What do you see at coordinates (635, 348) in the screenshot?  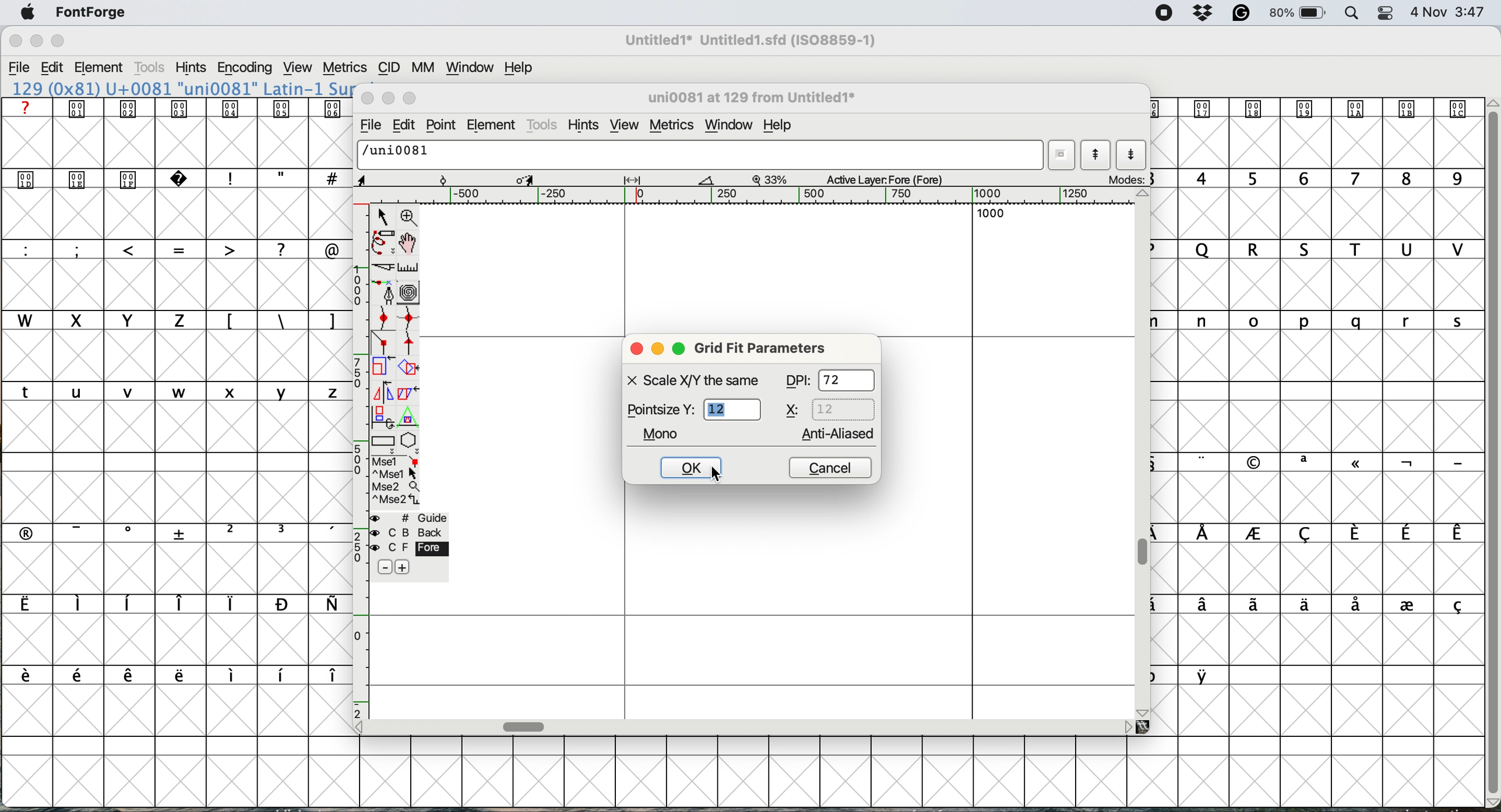 I see `close` at bounding box center [635, 348].